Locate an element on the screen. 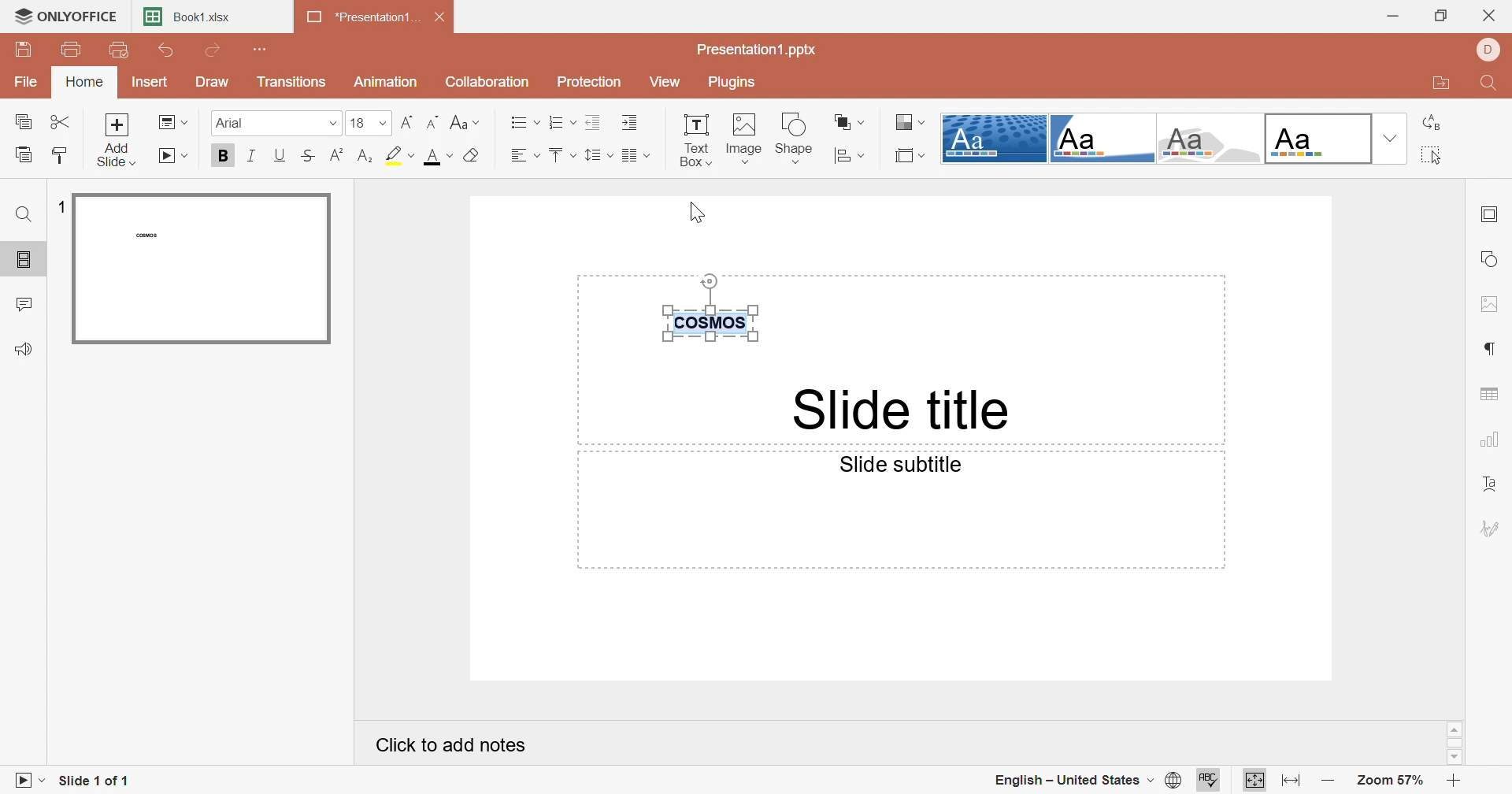  Slide 1 of 1 is located at coordinates (100, 780).